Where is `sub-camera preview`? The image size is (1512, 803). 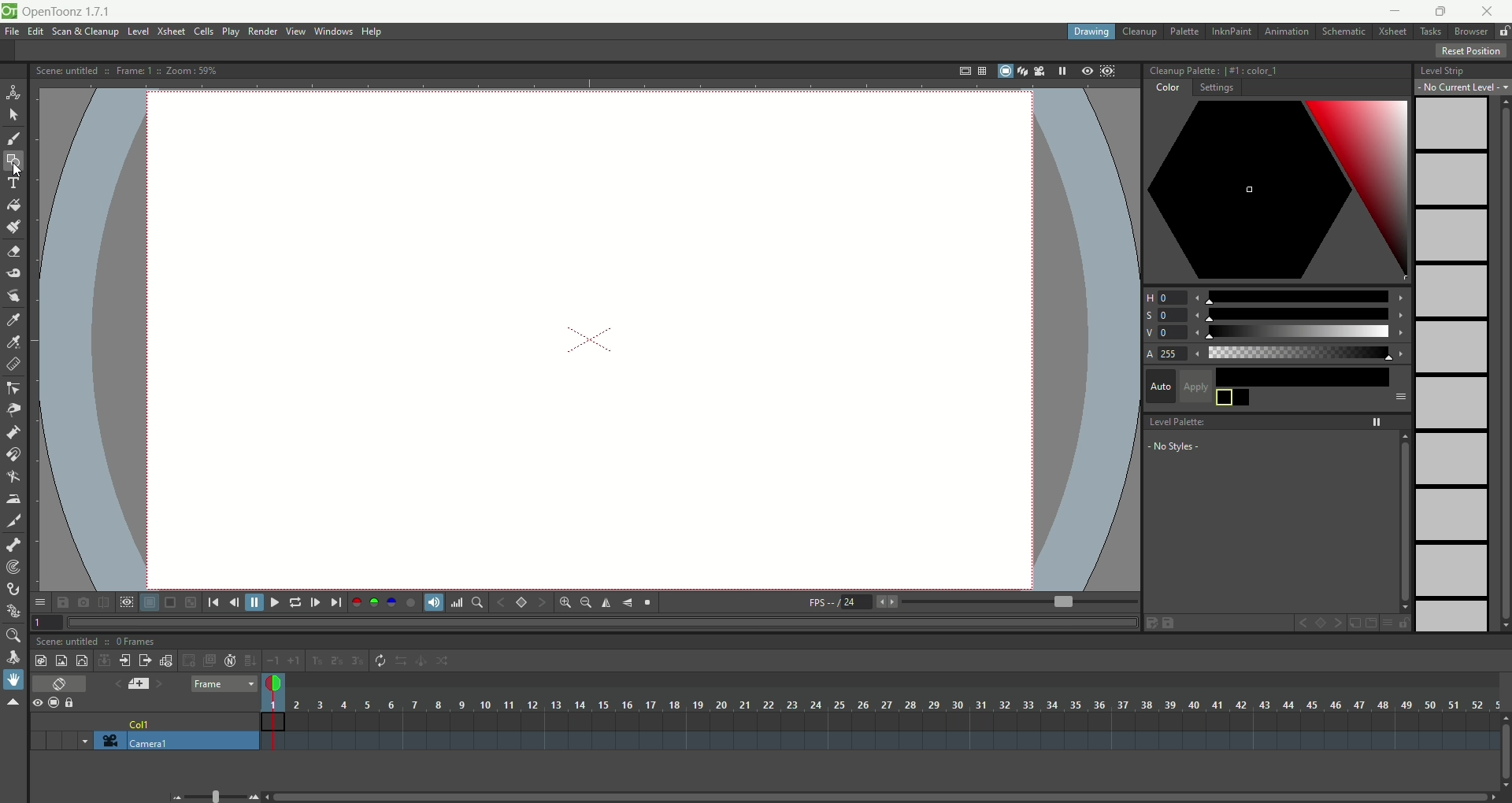
sub-camera preview is located at coordinates (1109, 72).